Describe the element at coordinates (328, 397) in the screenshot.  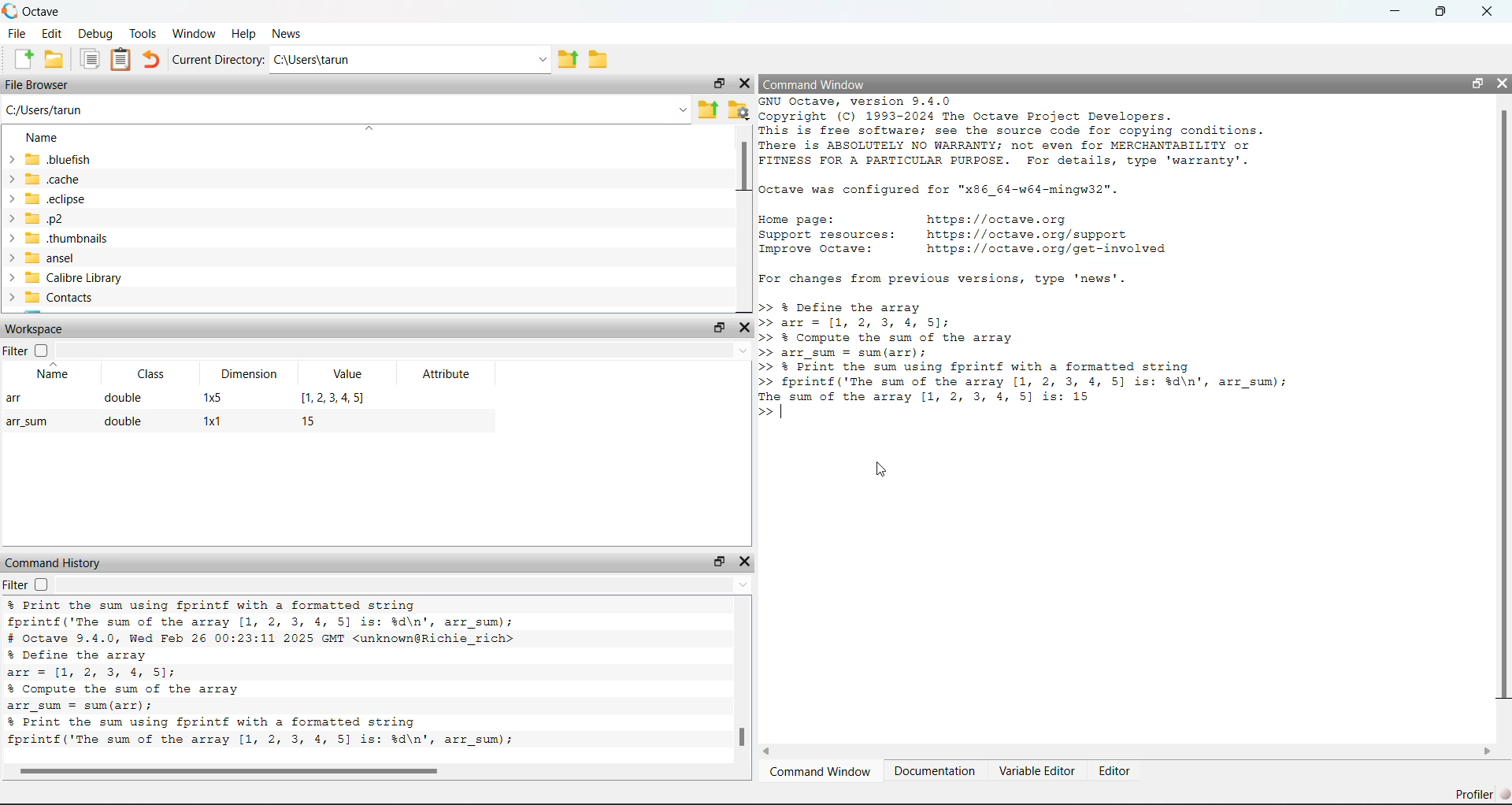
I see `1,23,4,5` at that location.